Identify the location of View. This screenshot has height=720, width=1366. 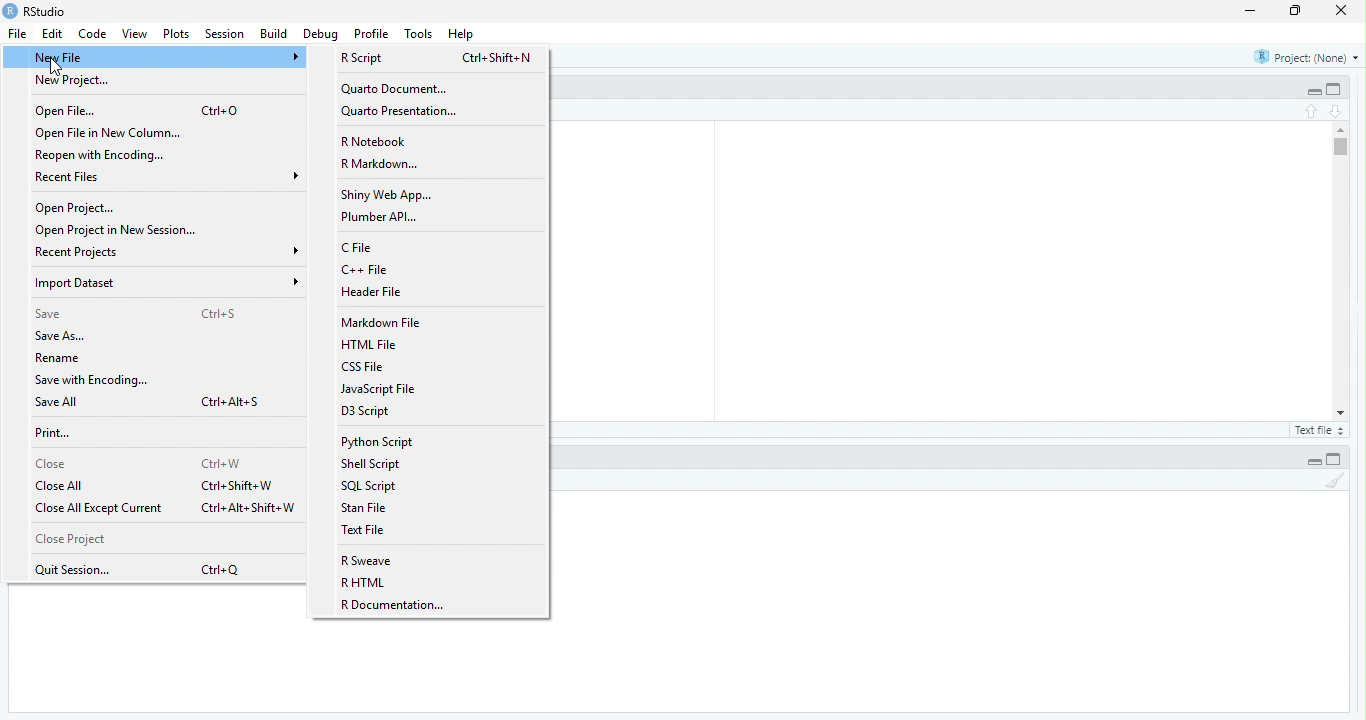
(134, 33).